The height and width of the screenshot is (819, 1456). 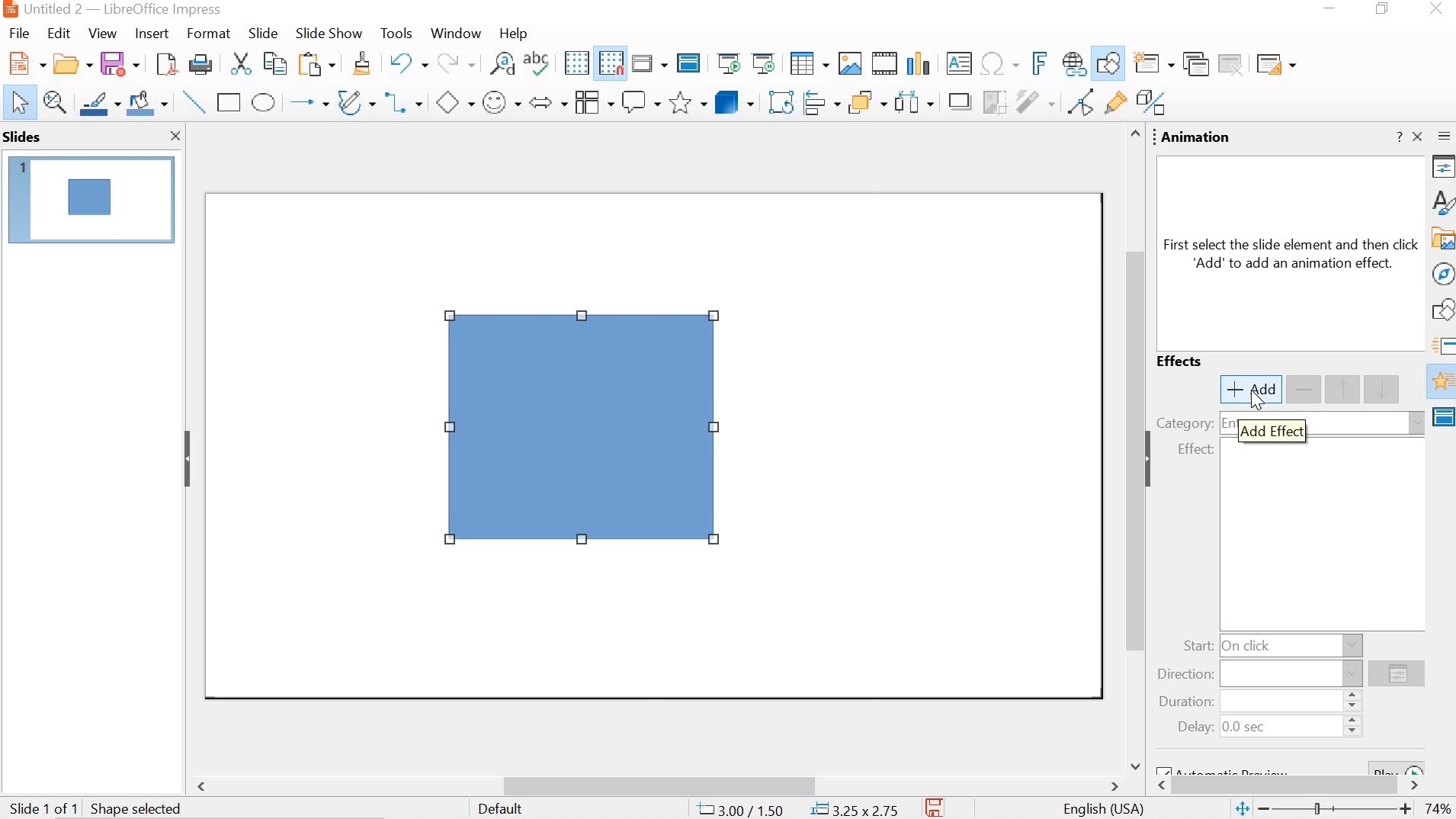 What do you see at coordinates (780, 99) in the screenshot?
I see `rotate` at bounding box center [780, 99].